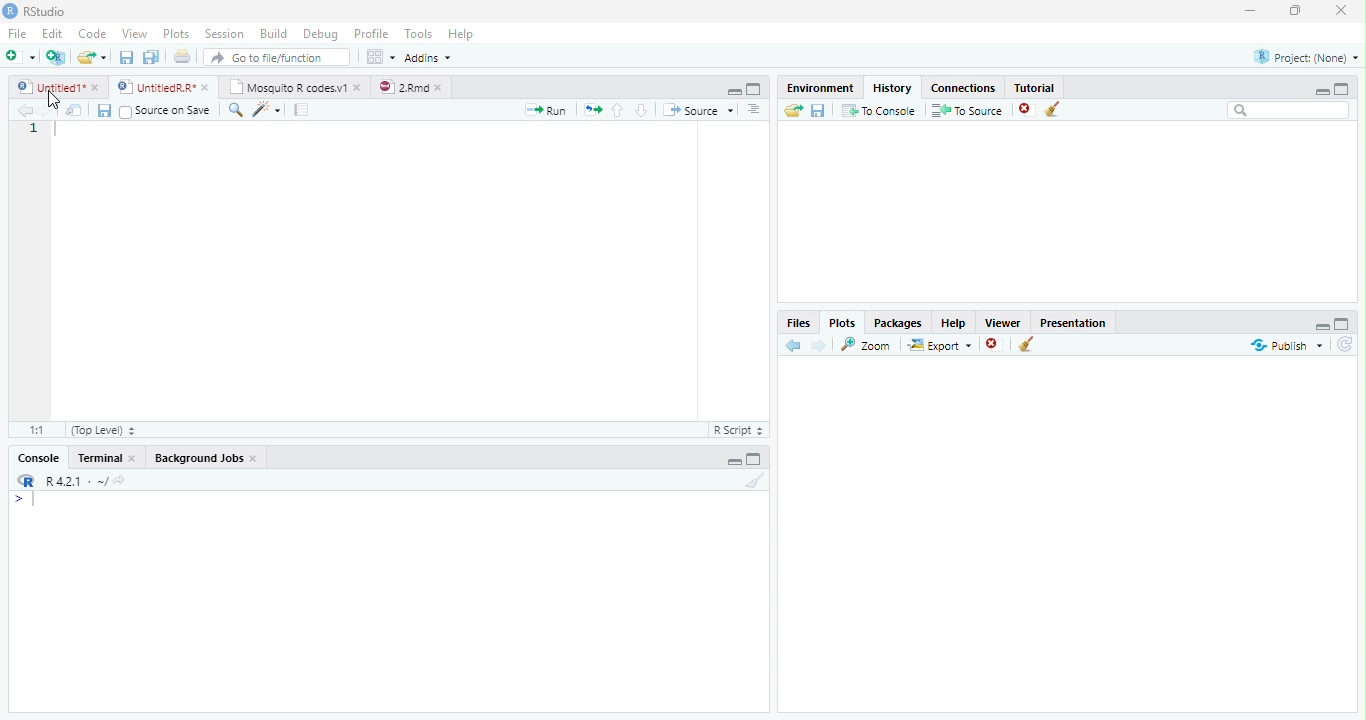 The height and width of the screenshot is (720, 1366). I want to click on Tutorial, so click(1034, 86).